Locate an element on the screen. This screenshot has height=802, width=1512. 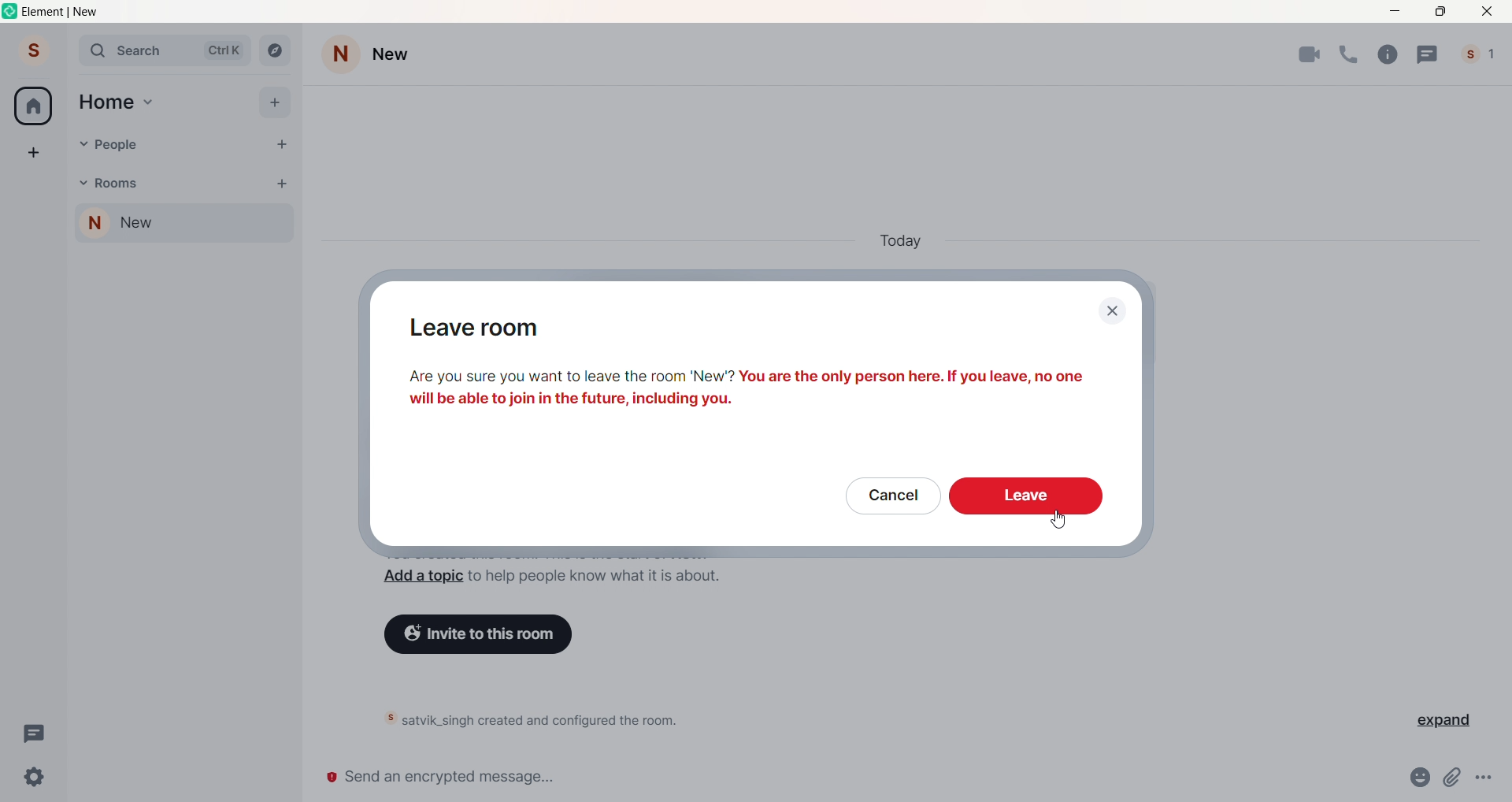
Close Dialog Box is located at coordinates (1110, 311).